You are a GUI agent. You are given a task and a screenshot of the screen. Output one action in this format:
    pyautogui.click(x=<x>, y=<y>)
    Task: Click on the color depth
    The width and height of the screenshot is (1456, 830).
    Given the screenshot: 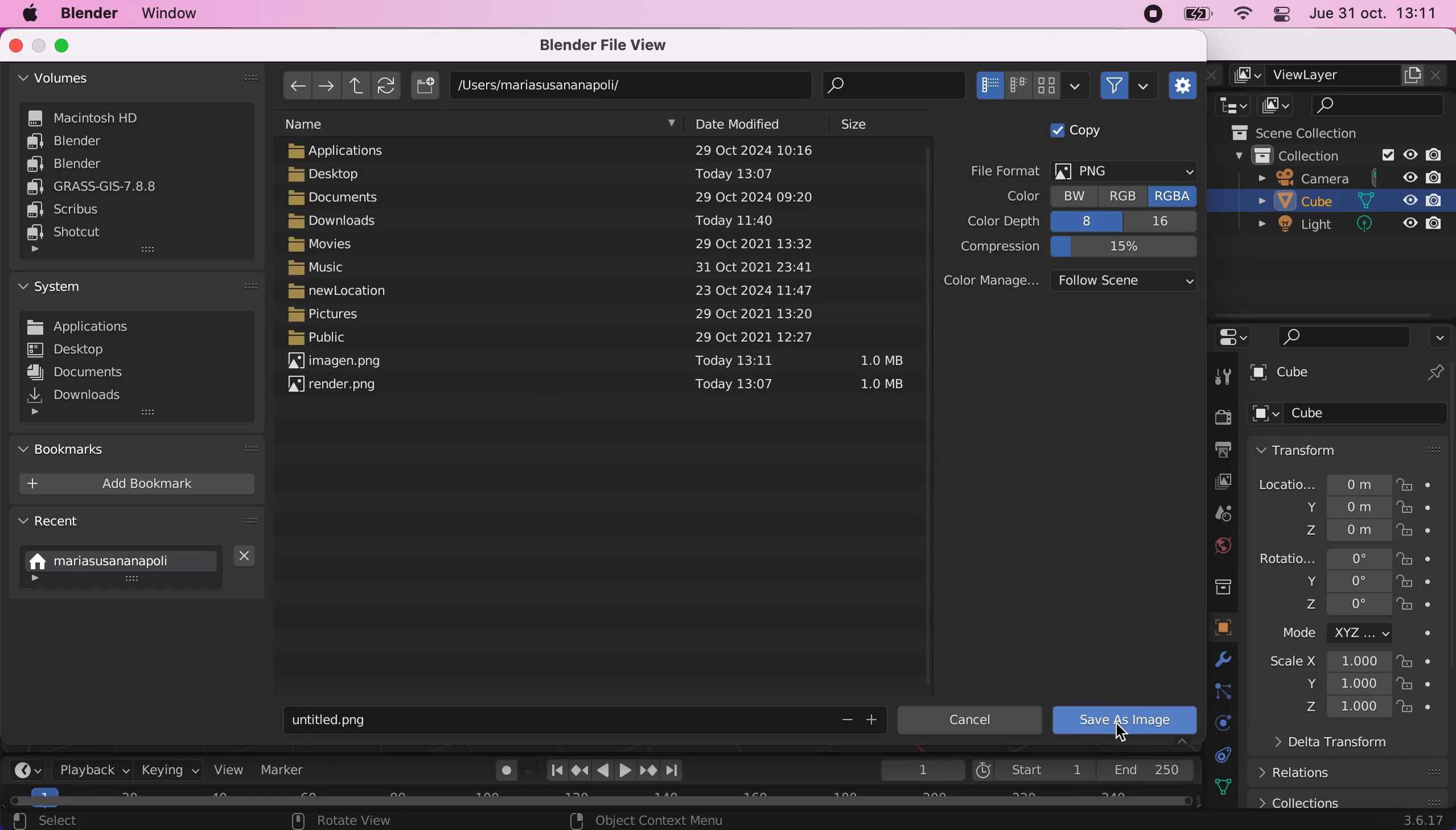 What is the action you would take?
    pyautogui.click(x=1068, y=221)
    